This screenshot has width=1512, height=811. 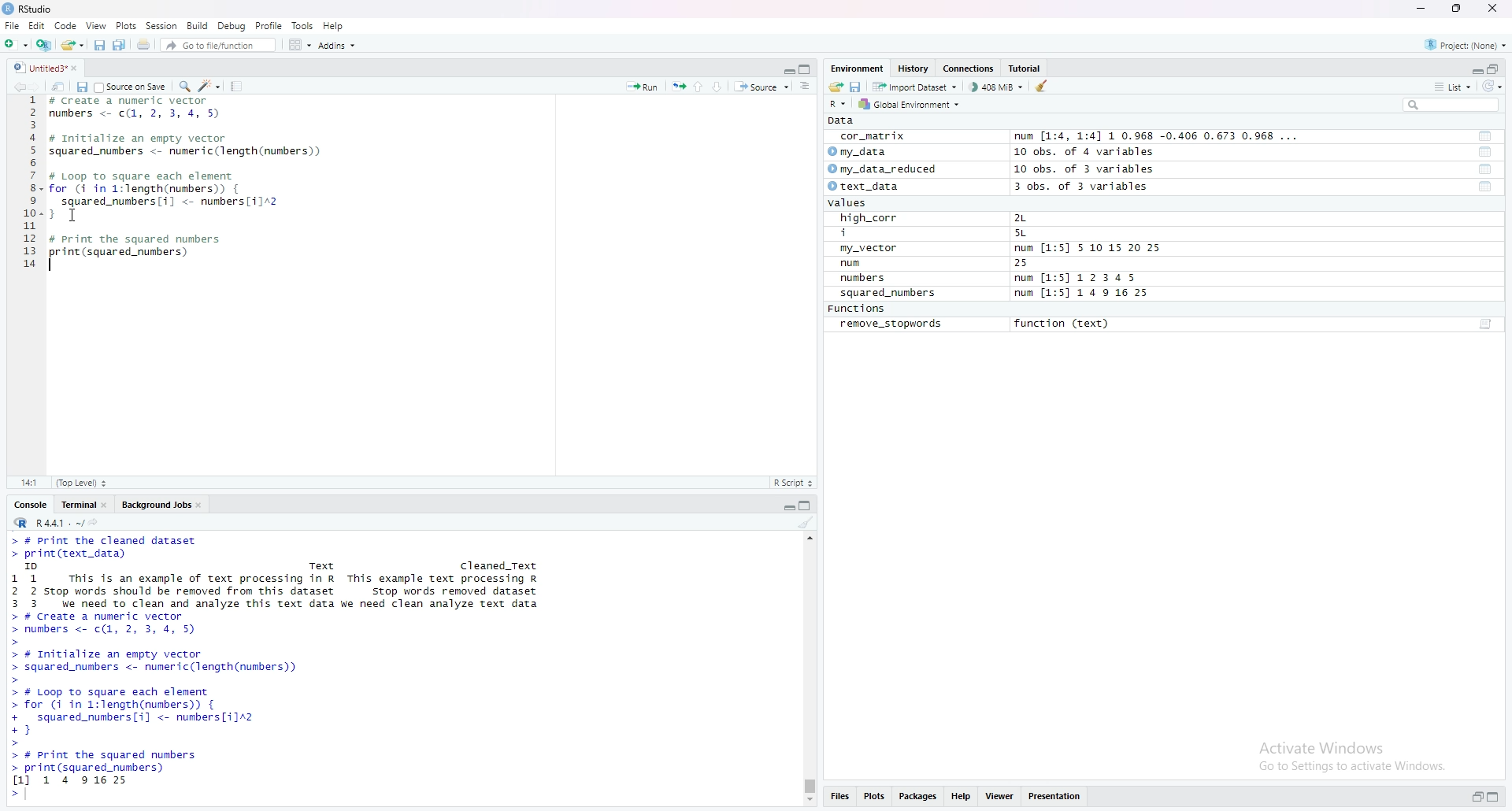 I want to click on R 4.4.1 ~/, so click(x=46, y=521).